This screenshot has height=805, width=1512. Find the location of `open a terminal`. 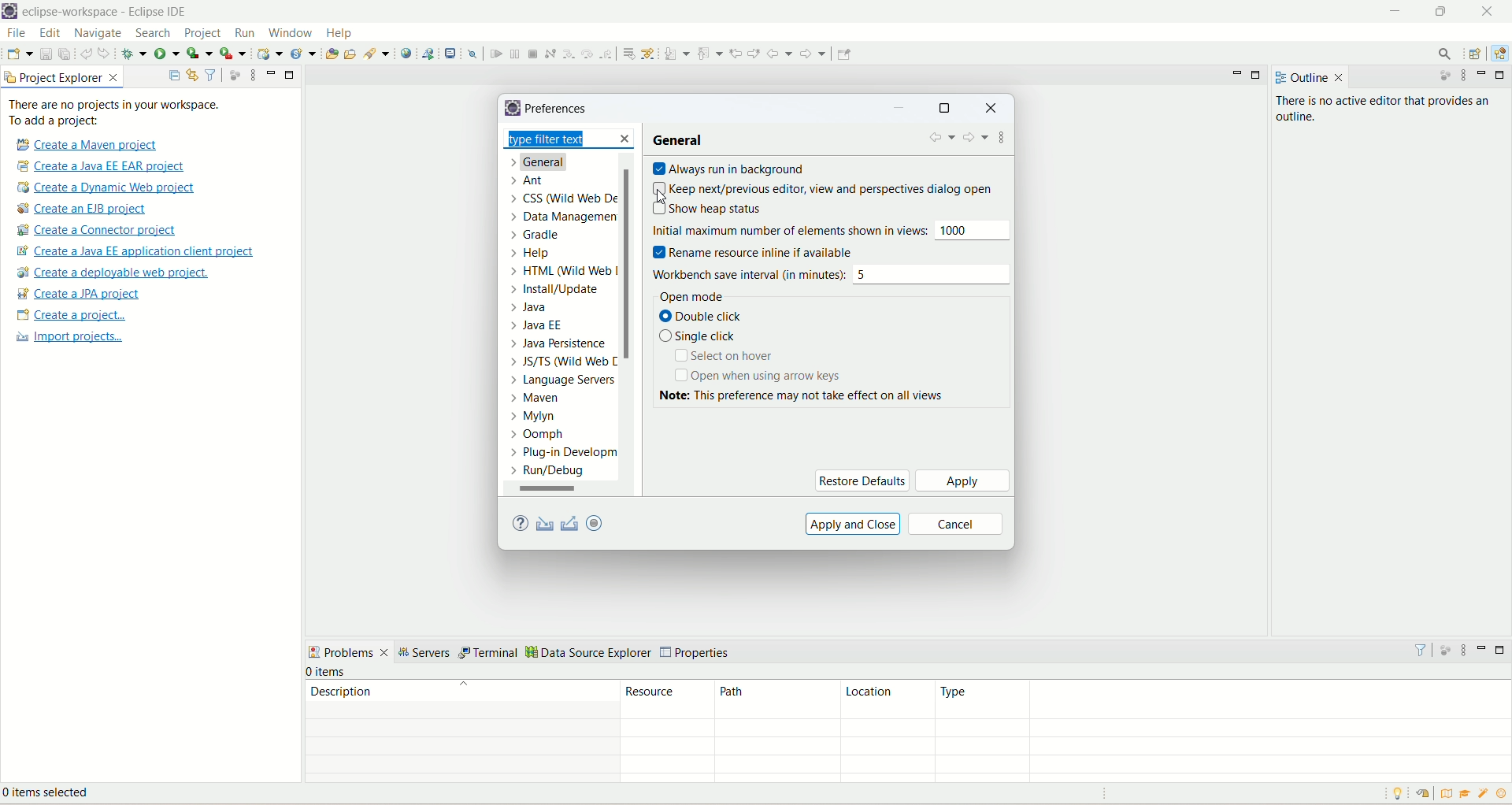

open a terminal is located at coordinates (452, 52).